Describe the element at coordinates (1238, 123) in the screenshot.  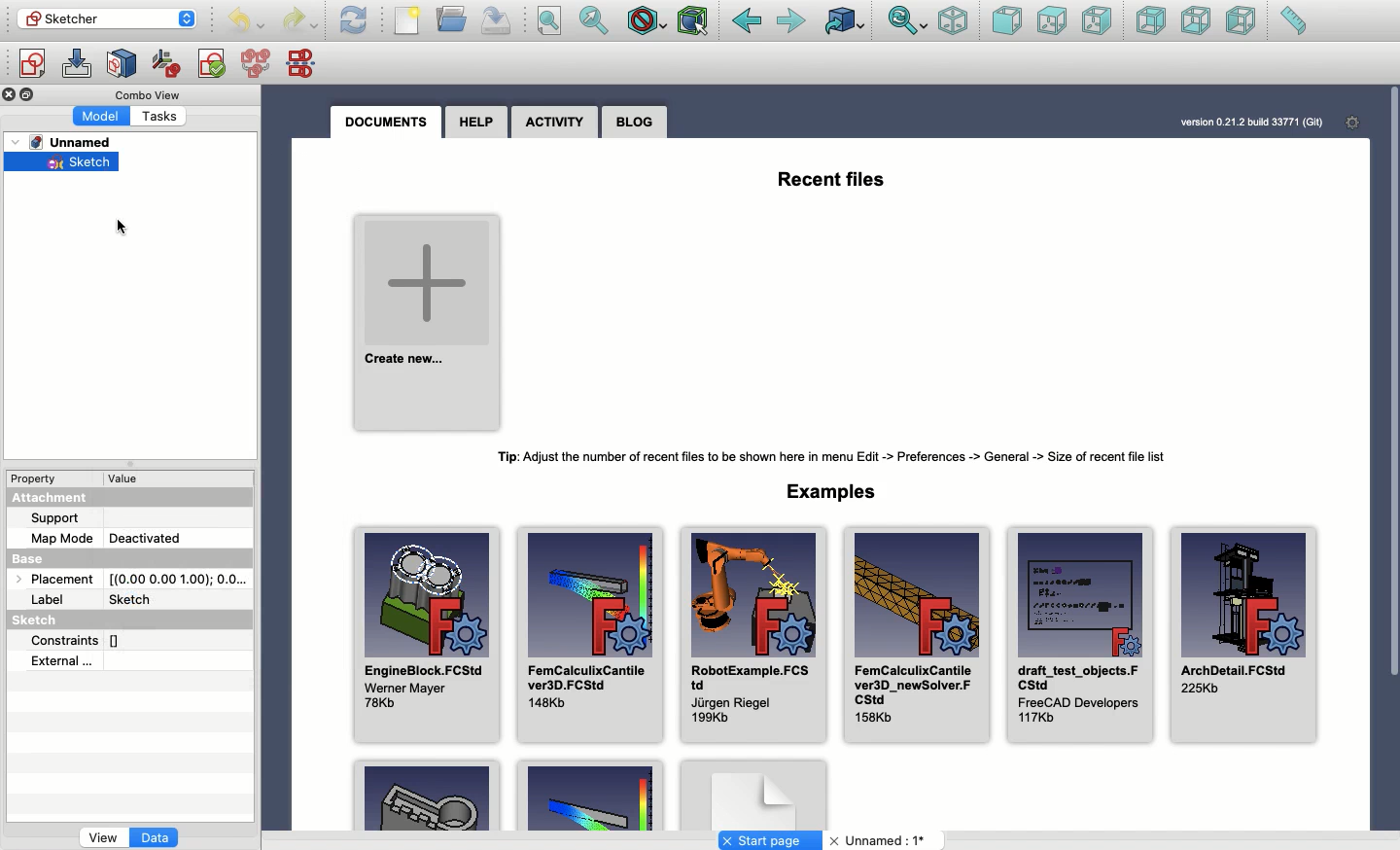
I see `Version` at that location.